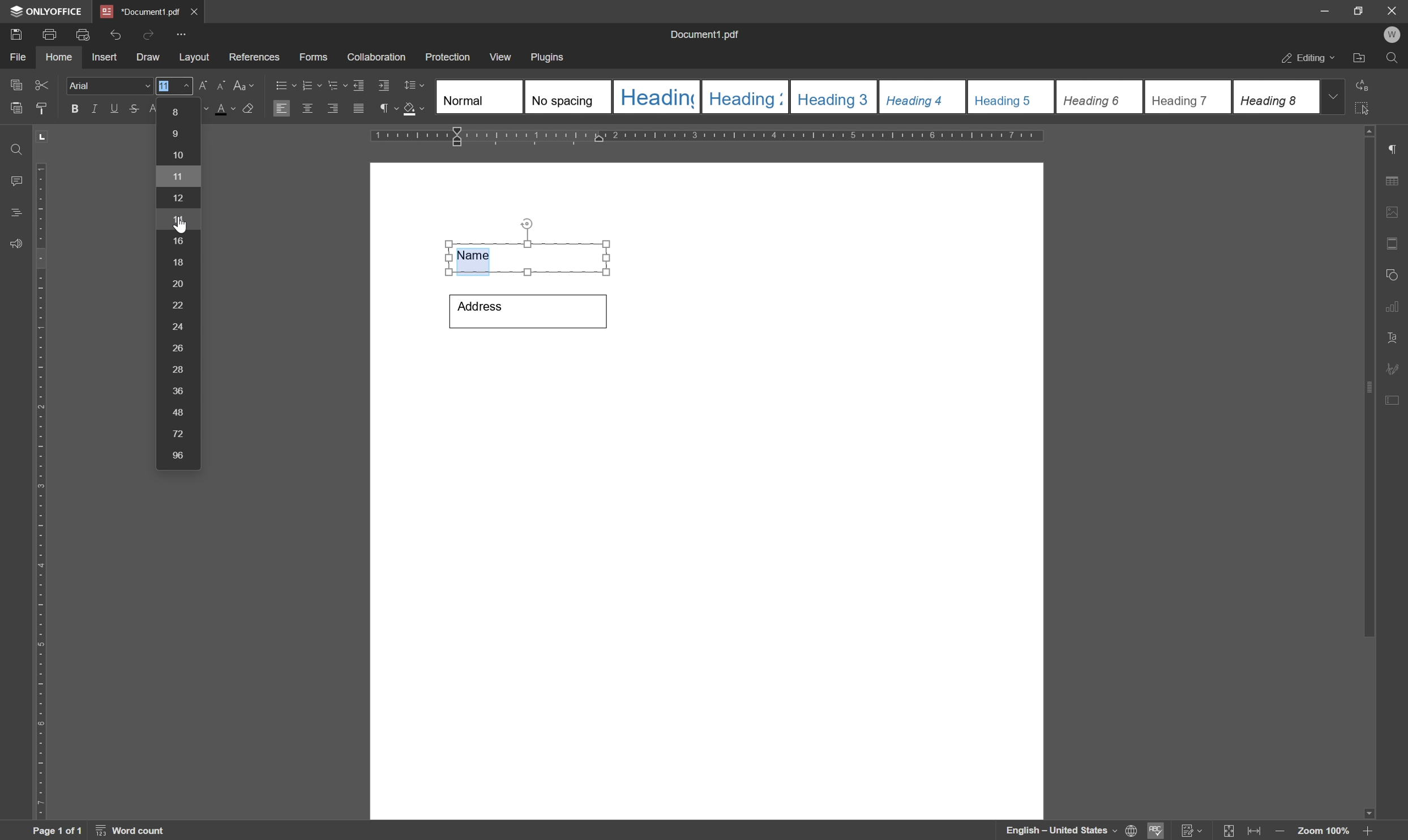  I want to click on font size, so click(228, 109).